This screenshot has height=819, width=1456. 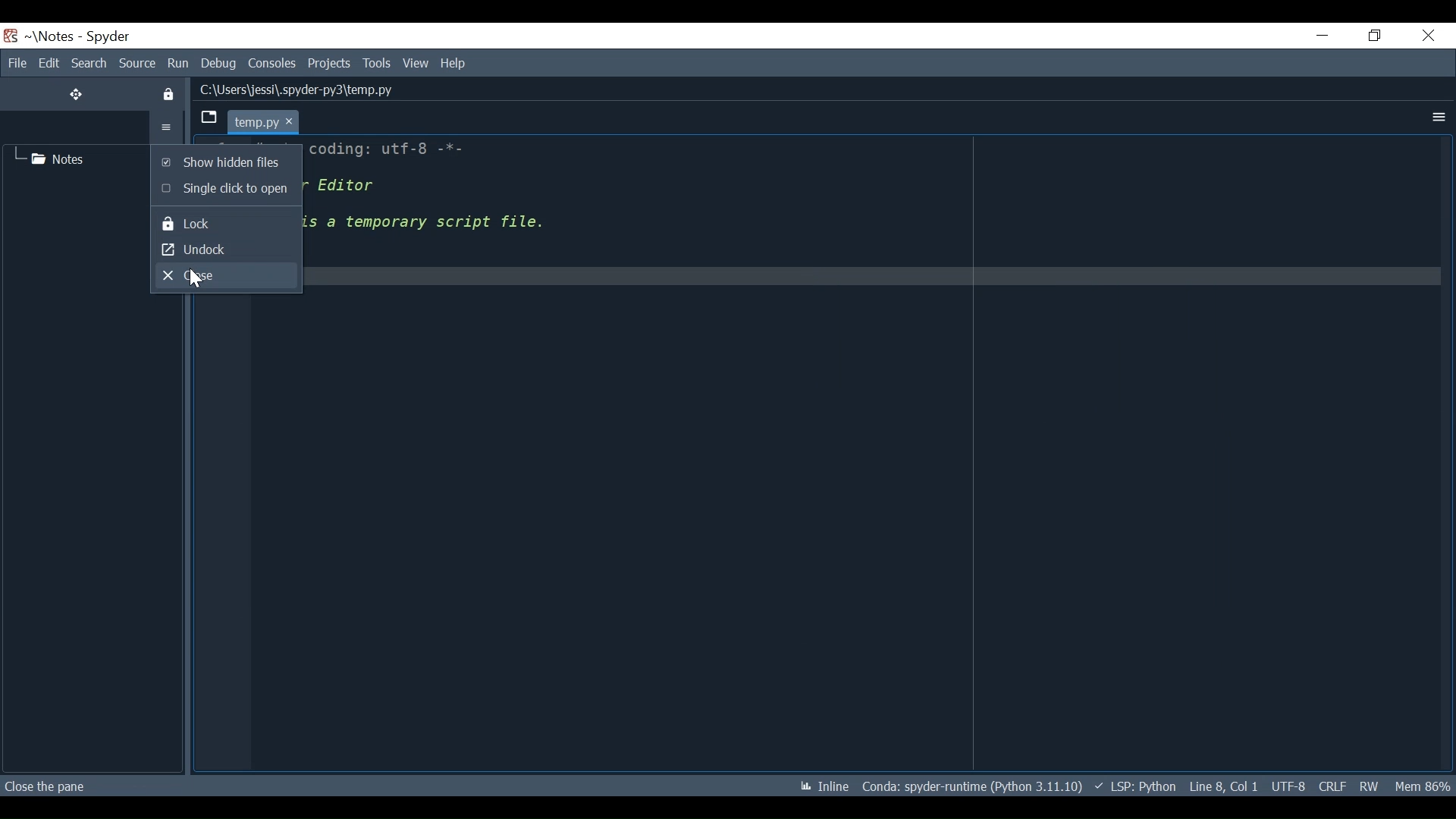 What do you see at coordinates (219, 64) in the screenshot?
I see `Debug` at bounding box center [219, 64].